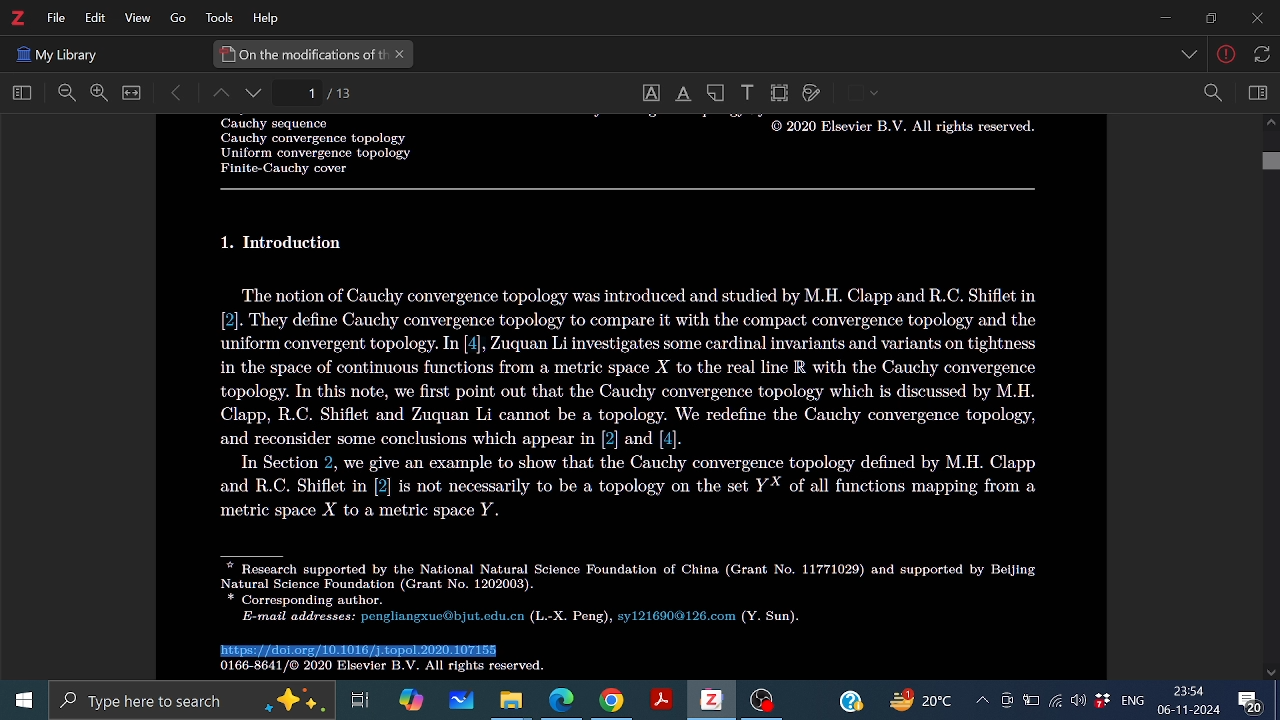 The width and height of the screenshot is (1280, 720). I want to click on Move up, so click(1270, 125).